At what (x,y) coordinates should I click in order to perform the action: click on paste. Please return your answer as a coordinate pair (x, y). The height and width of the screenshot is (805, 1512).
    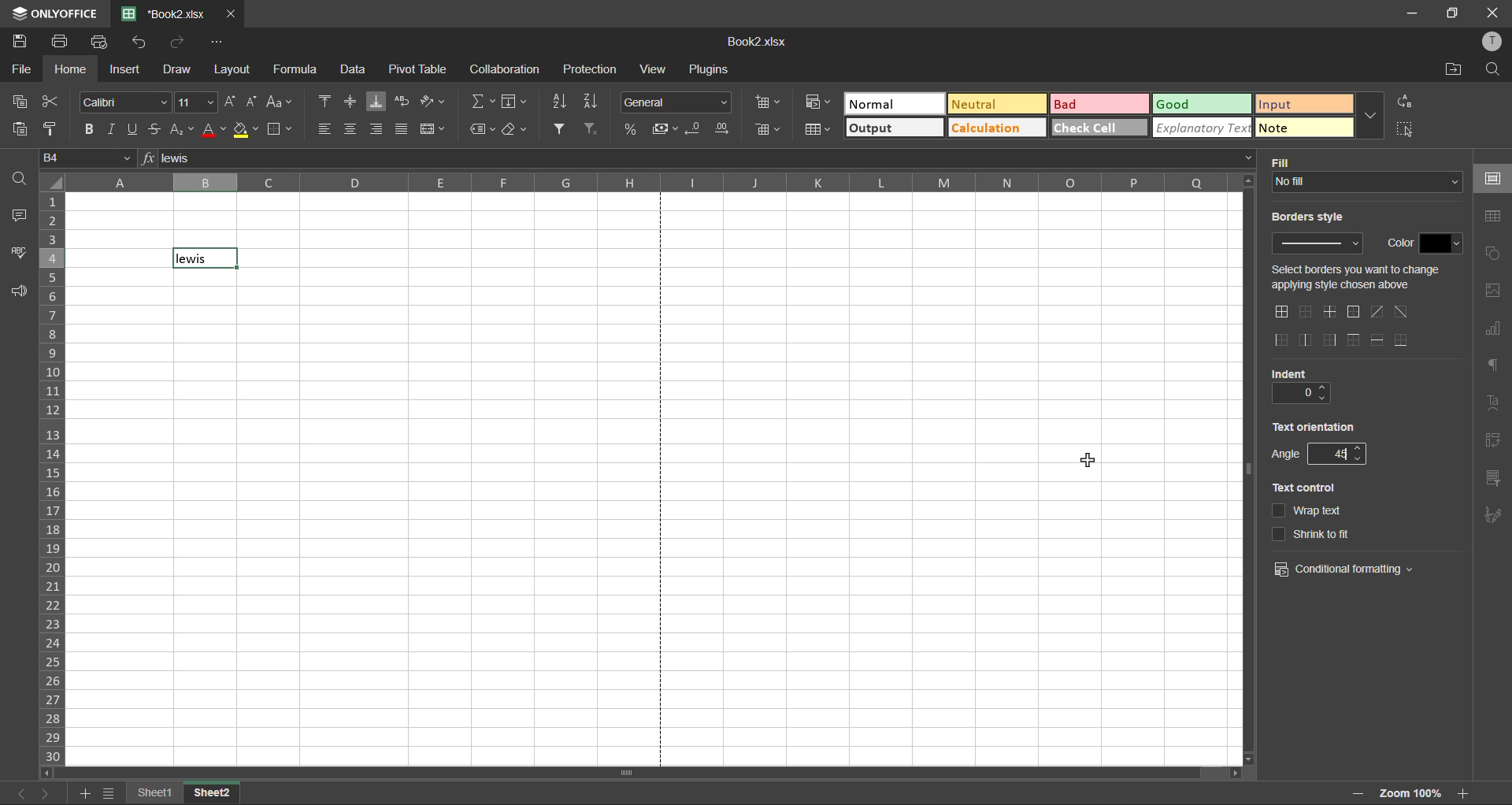
    Looking at the image, I should click on (24, 130).